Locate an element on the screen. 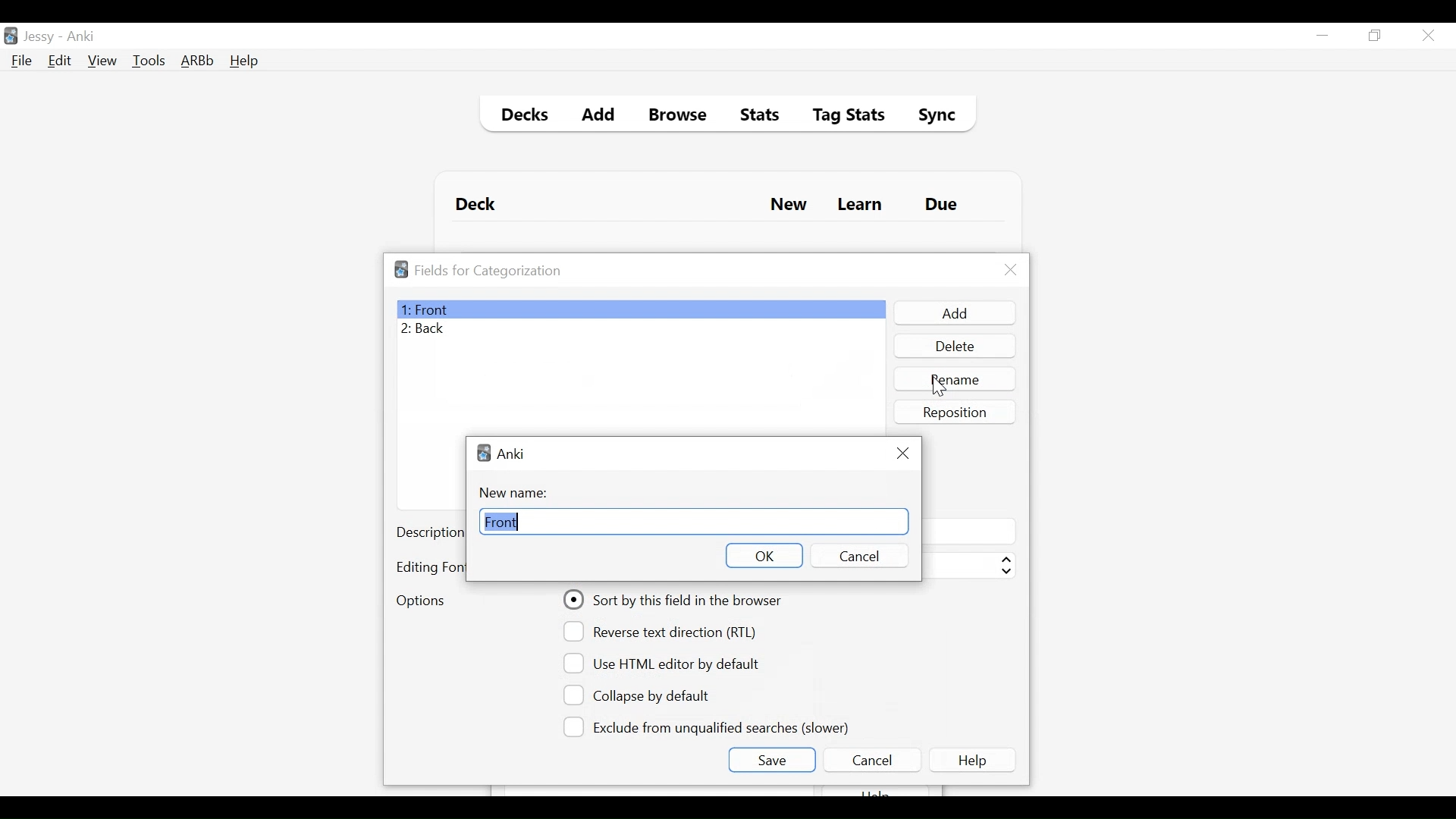 Image resolution: width=1456 pixels, height=819 pixels. Tag Stats is located at coordinates (840, 117).